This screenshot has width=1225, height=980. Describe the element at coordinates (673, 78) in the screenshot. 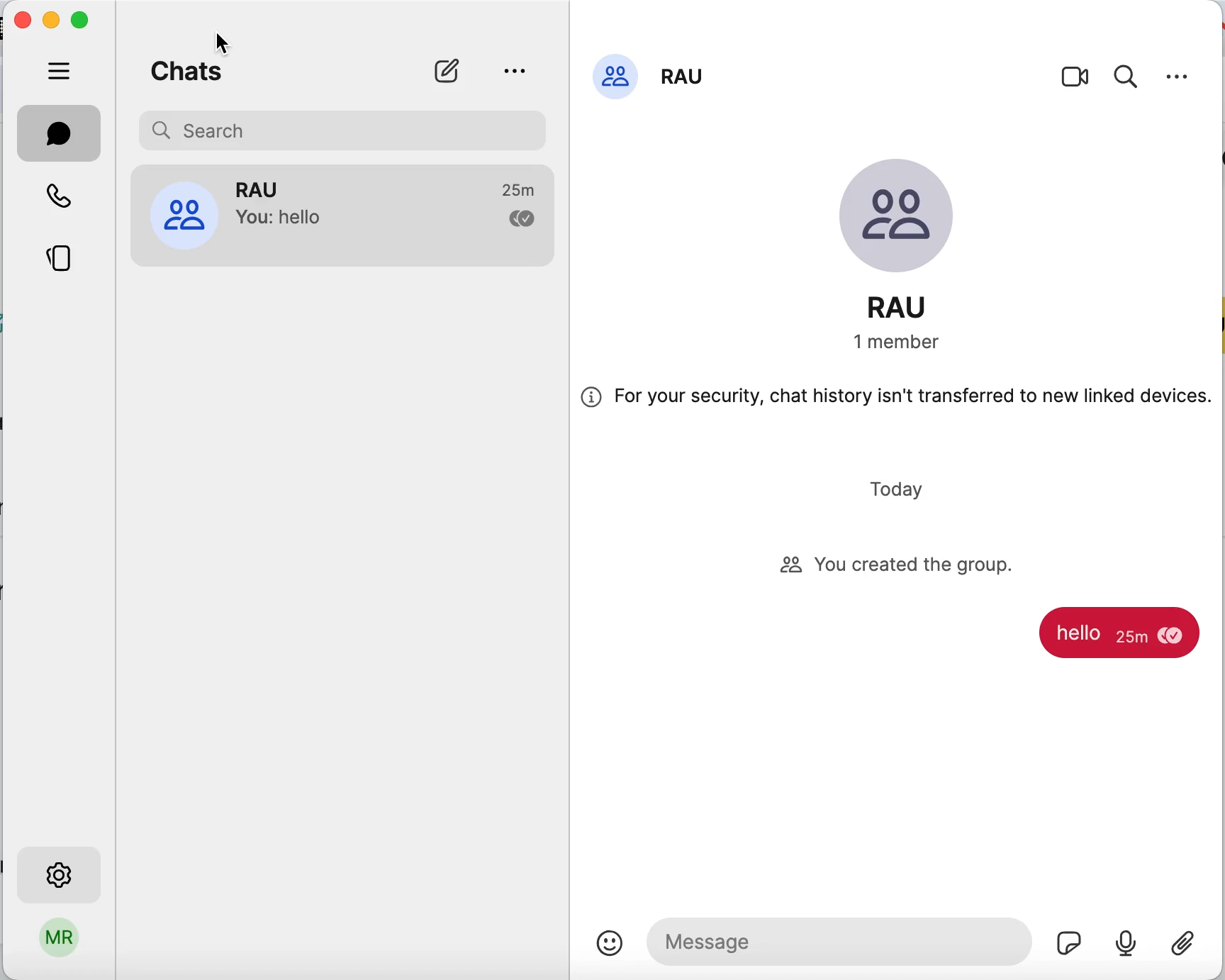

I see `group name` at that location.